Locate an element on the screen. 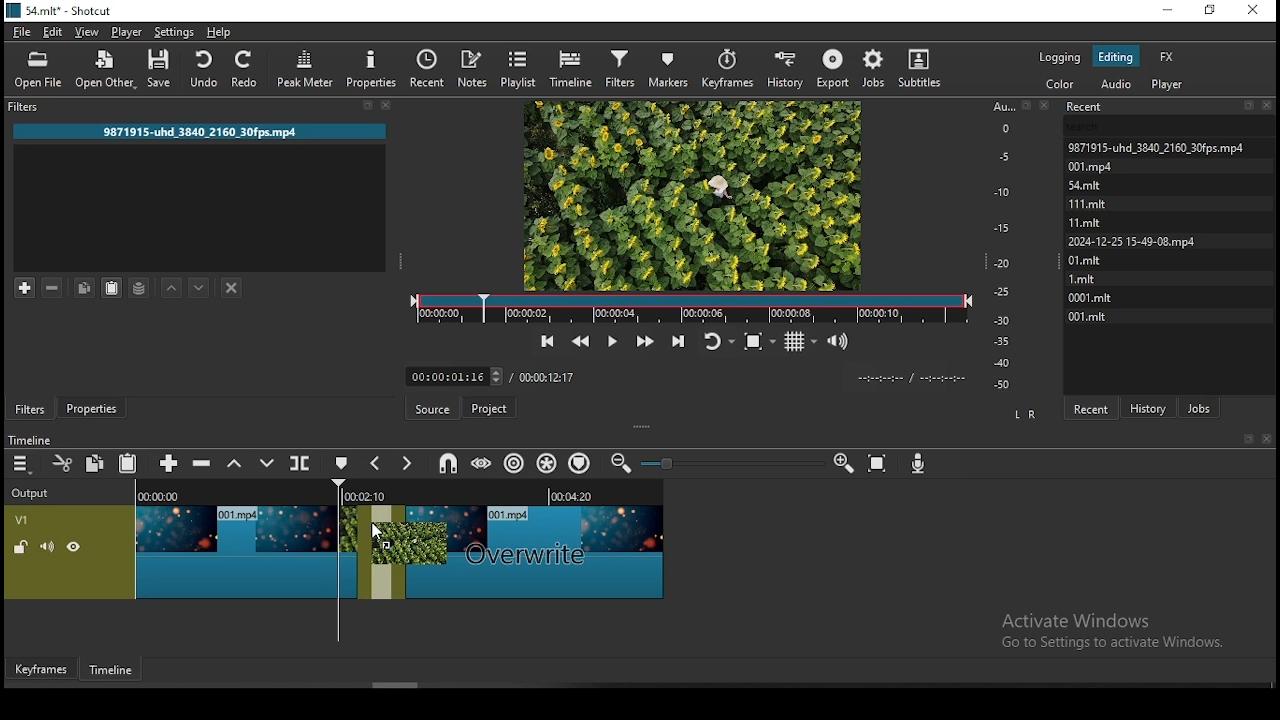  play/pause is located at coordinates (611, 340).